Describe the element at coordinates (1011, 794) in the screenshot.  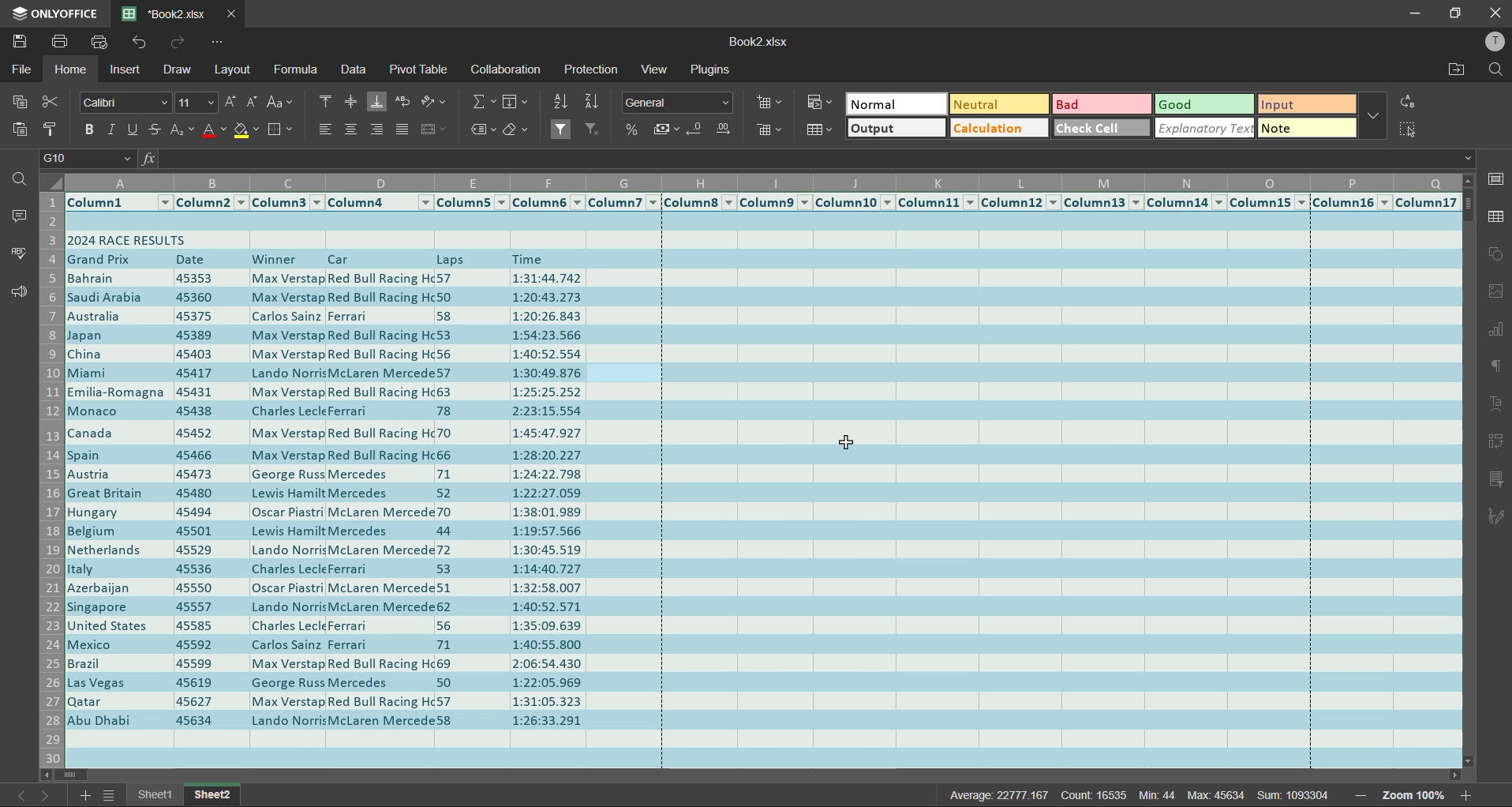
I see `average` at that location.